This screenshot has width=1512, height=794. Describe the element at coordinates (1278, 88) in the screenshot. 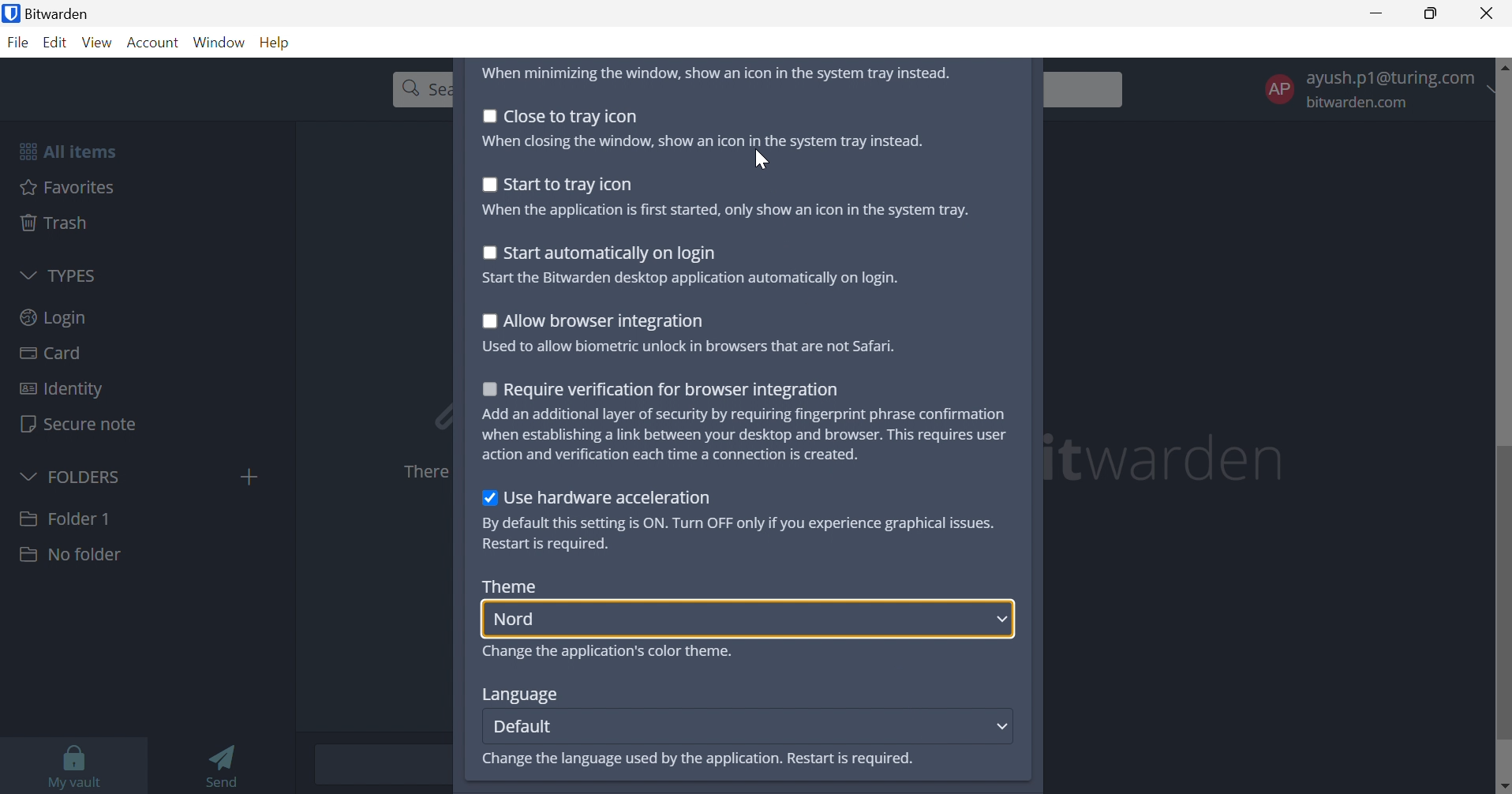

I see `AP` at that location.